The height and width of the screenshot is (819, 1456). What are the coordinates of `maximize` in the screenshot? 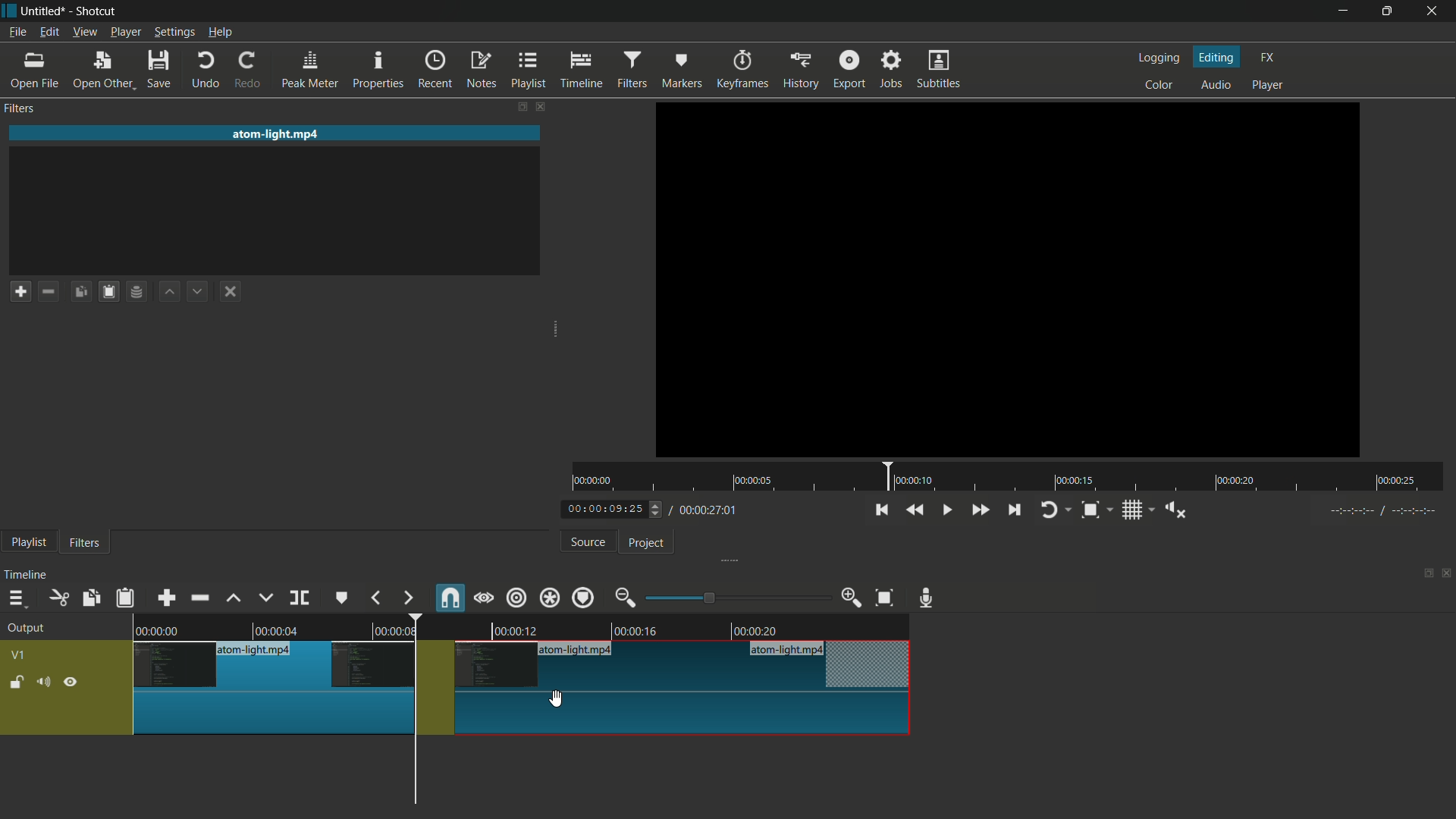 It's located at (1390, 11).